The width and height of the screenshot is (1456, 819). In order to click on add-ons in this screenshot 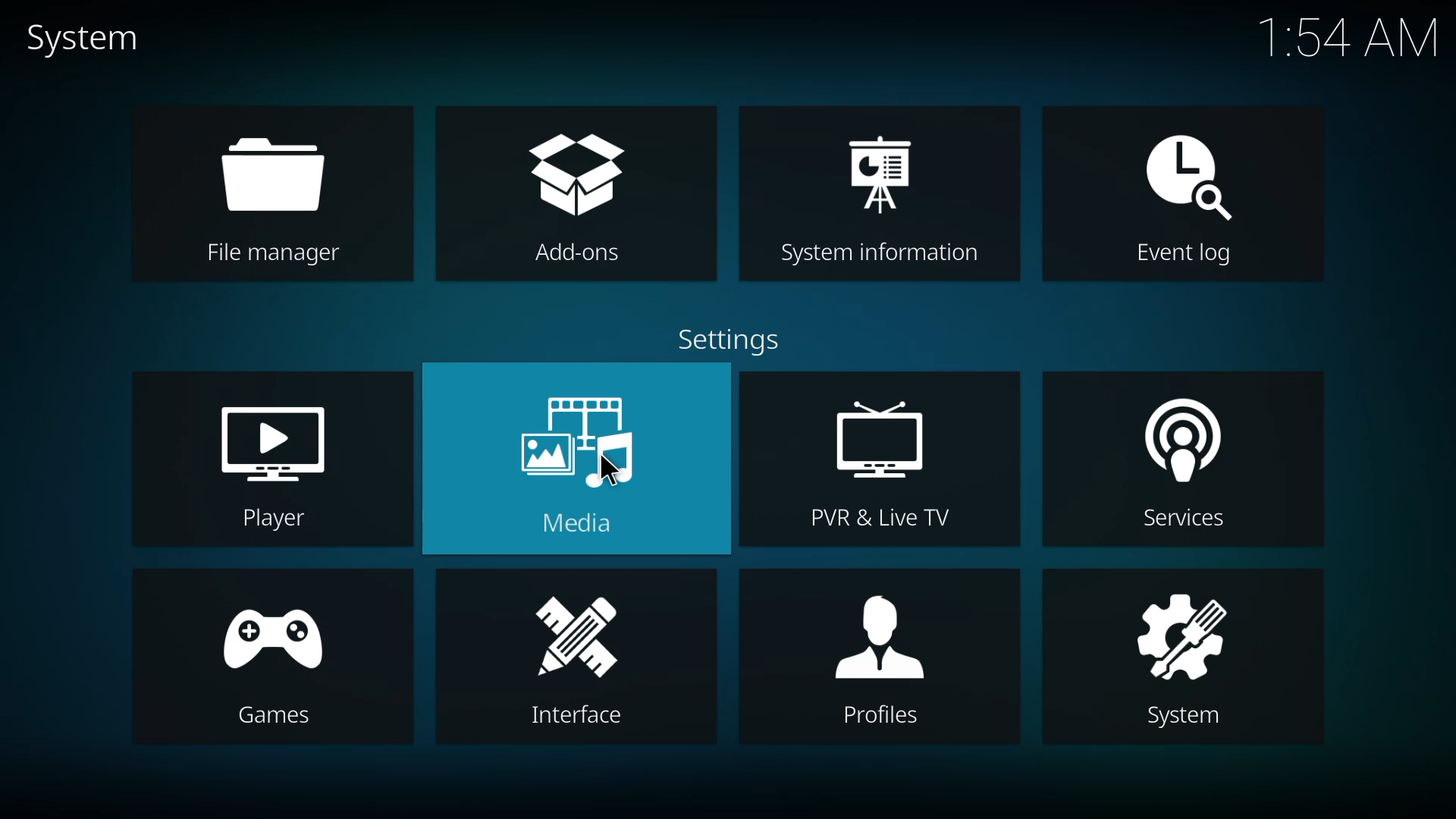, I will do `click(566, 200)`.